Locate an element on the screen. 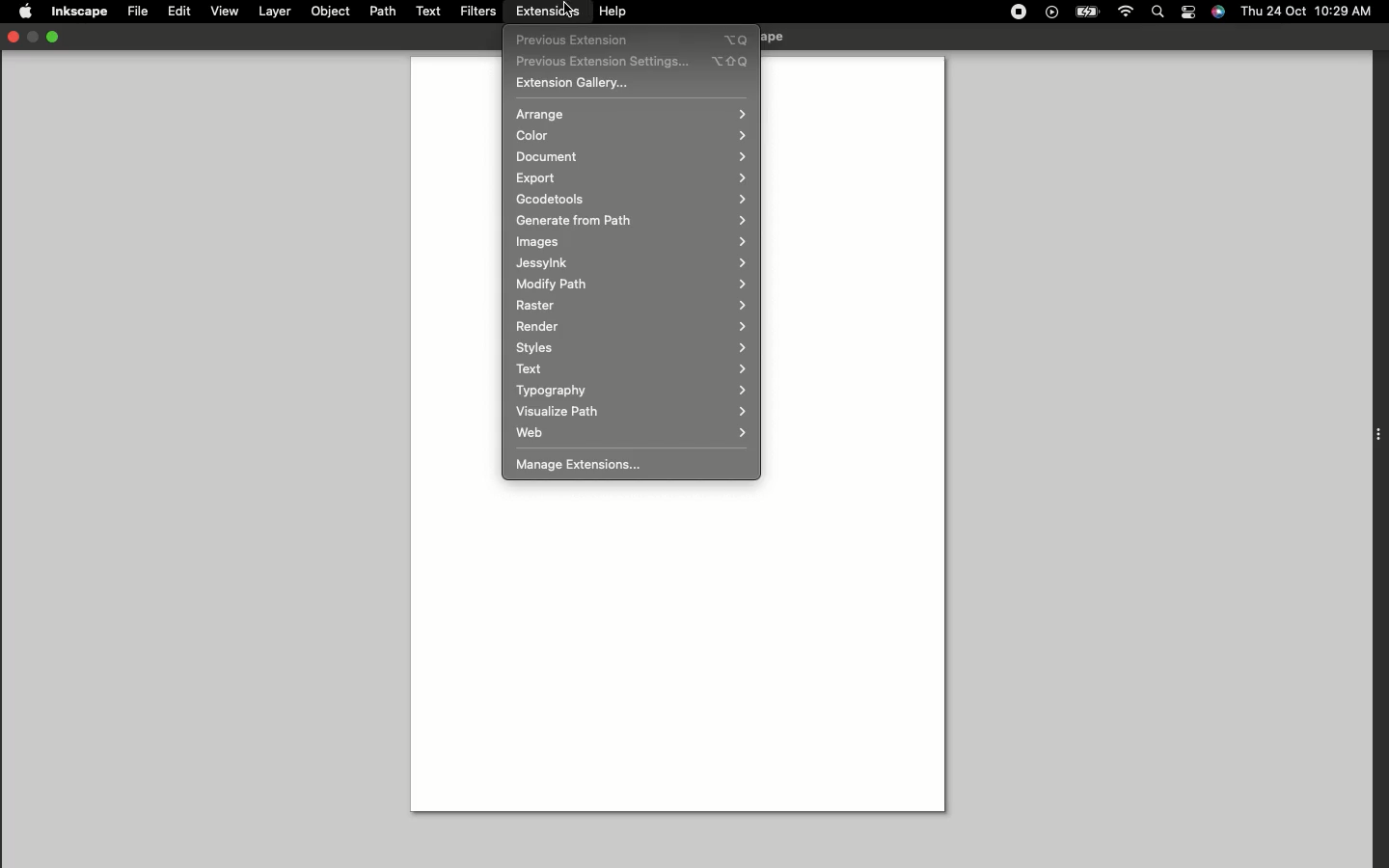 Image resolution: width=1389 pixels, height=868 pixels. Layer is located at coordinates (277, 13).